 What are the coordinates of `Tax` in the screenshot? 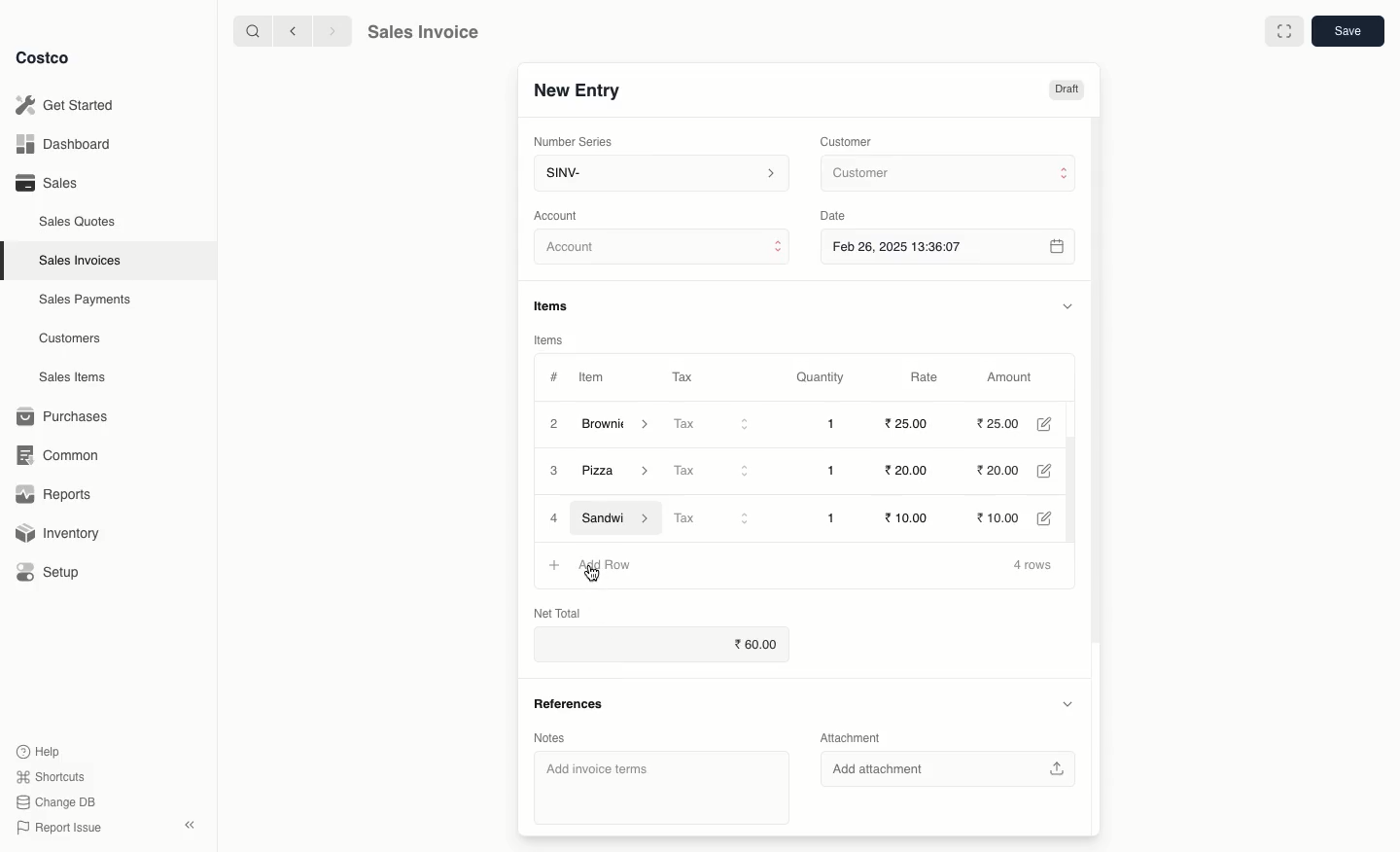 It's located at (716, 518).